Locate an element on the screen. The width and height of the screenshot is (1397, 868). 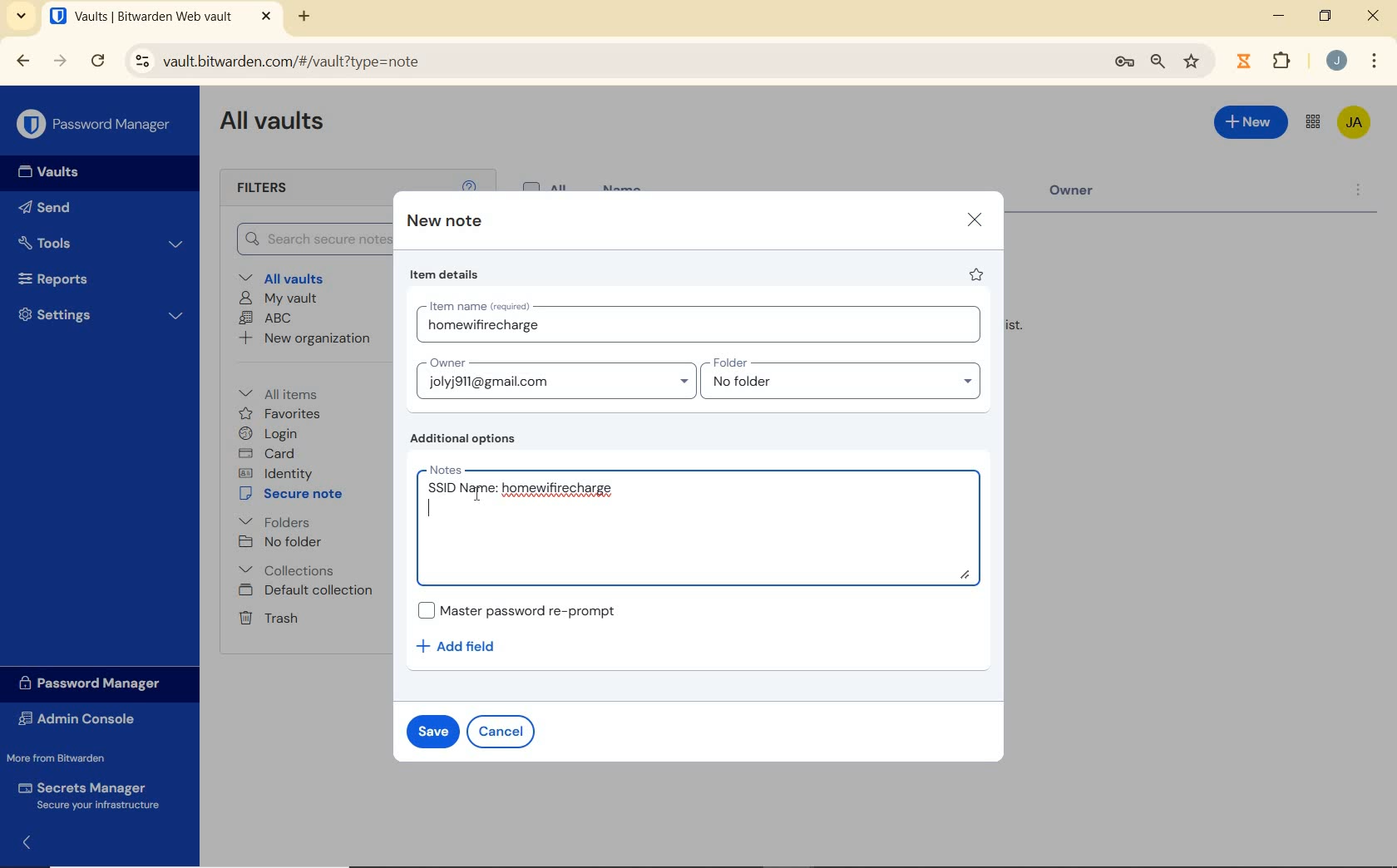
folders is located at coordinates (274, 520).